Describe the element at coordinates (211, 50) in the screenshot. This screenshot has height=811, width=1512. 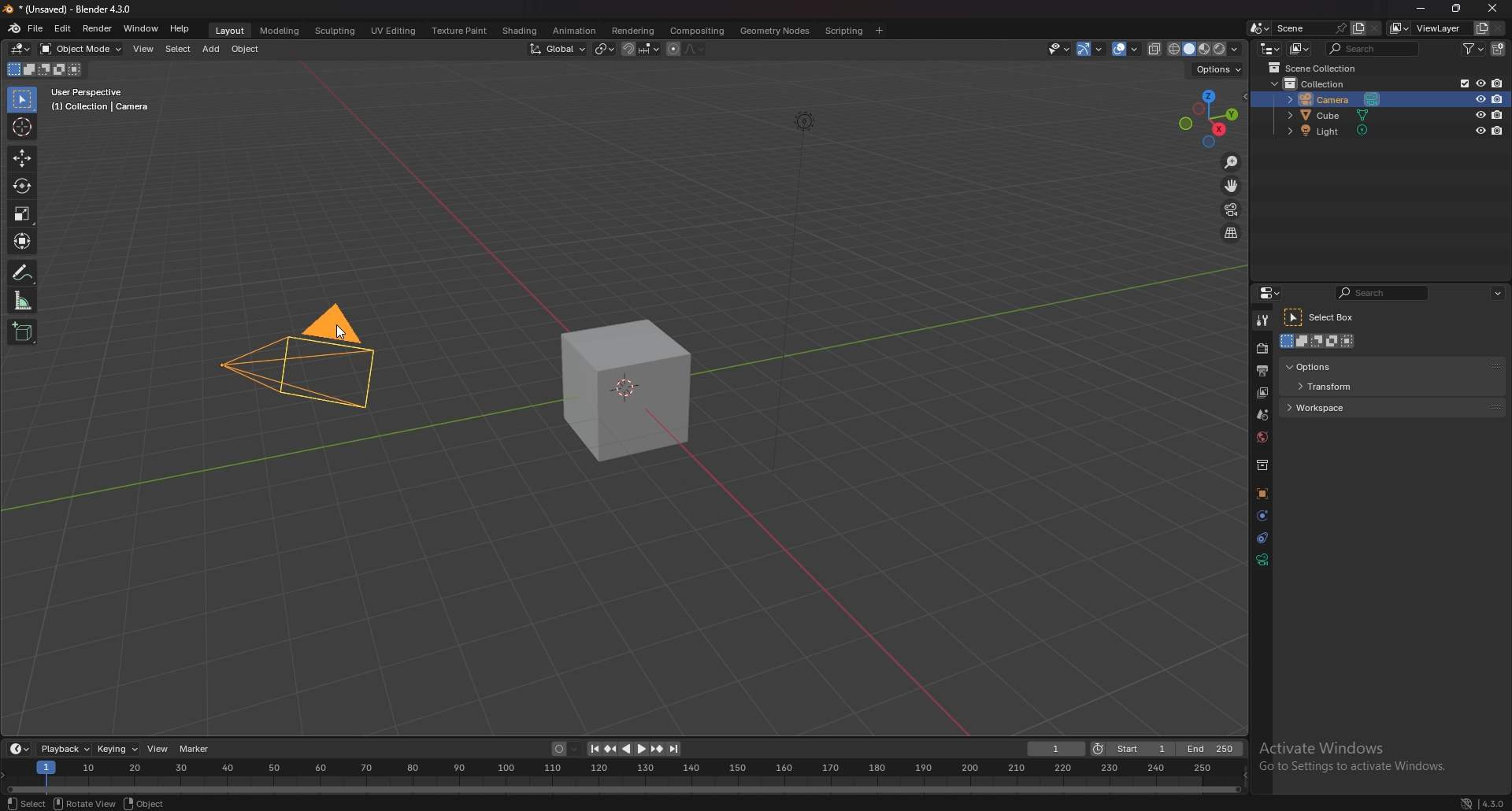
I see `add` at that location.